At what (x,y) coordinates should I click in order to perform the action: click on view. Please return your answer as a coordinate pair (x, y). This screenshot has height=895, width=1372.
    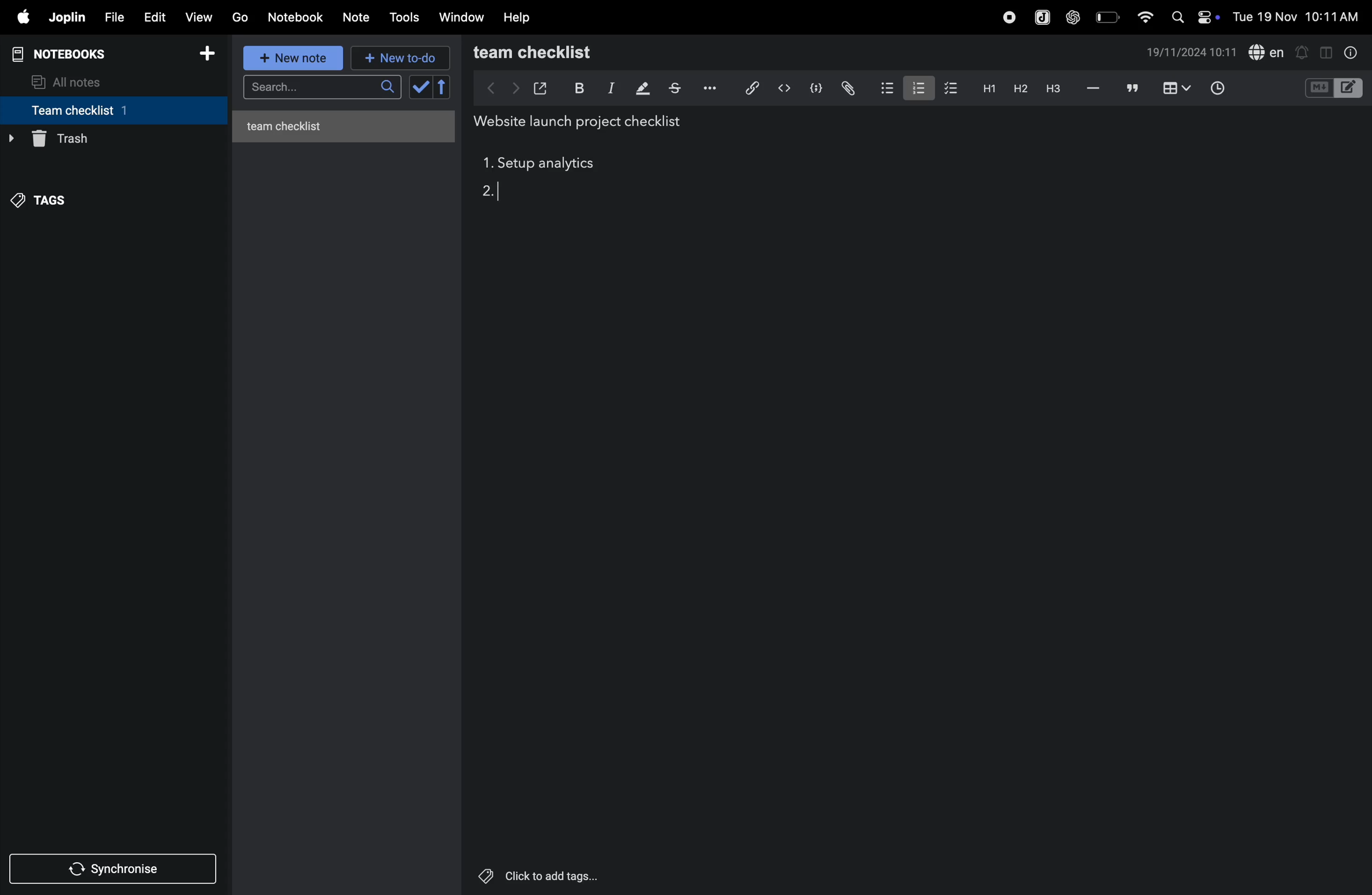
    Looking at the image, I should click on (201, 16).